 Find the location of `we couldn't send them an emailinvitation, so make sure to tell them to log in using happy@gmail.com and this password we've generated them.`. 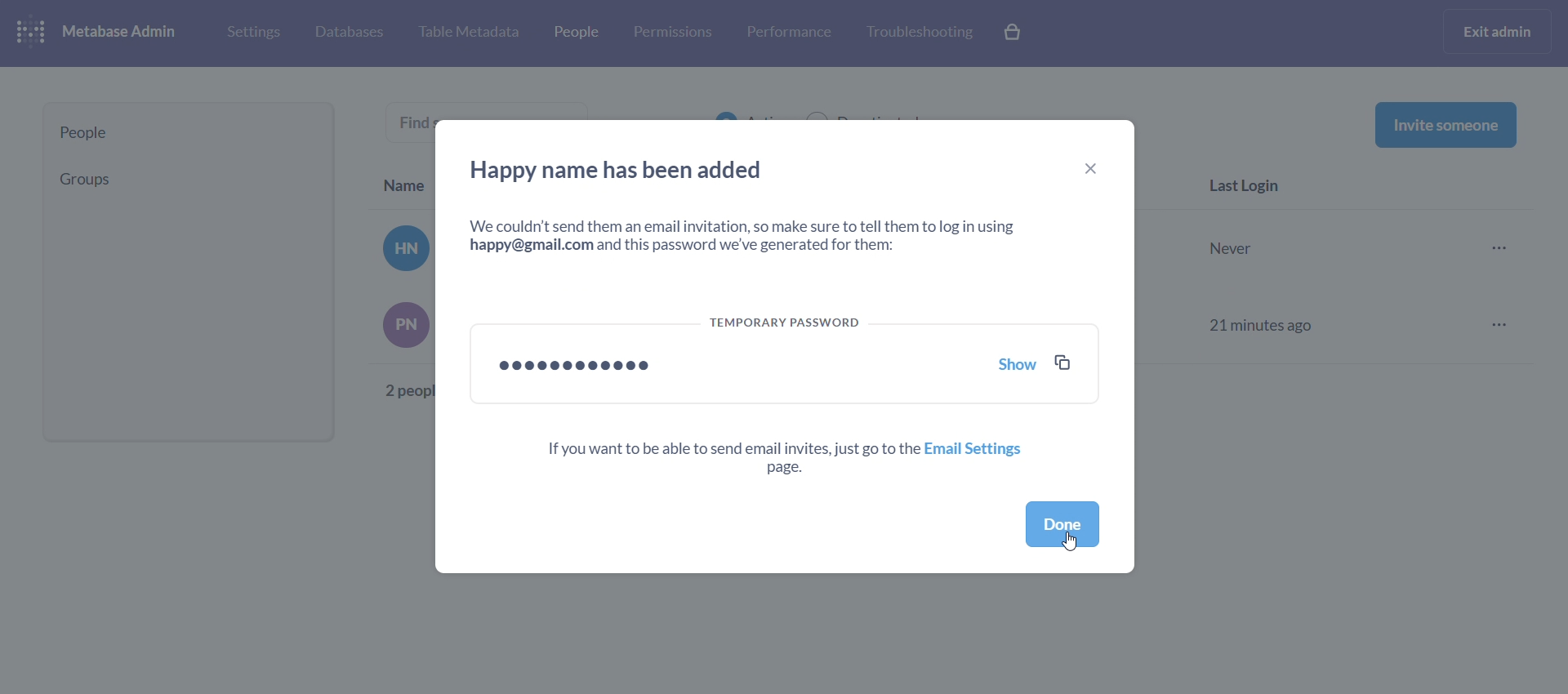

we couldn't send them an emailinvitation, so make sure to tell them to log in using happy@gmail.com and this password we've generated them. is located at coordinates (751, 234).